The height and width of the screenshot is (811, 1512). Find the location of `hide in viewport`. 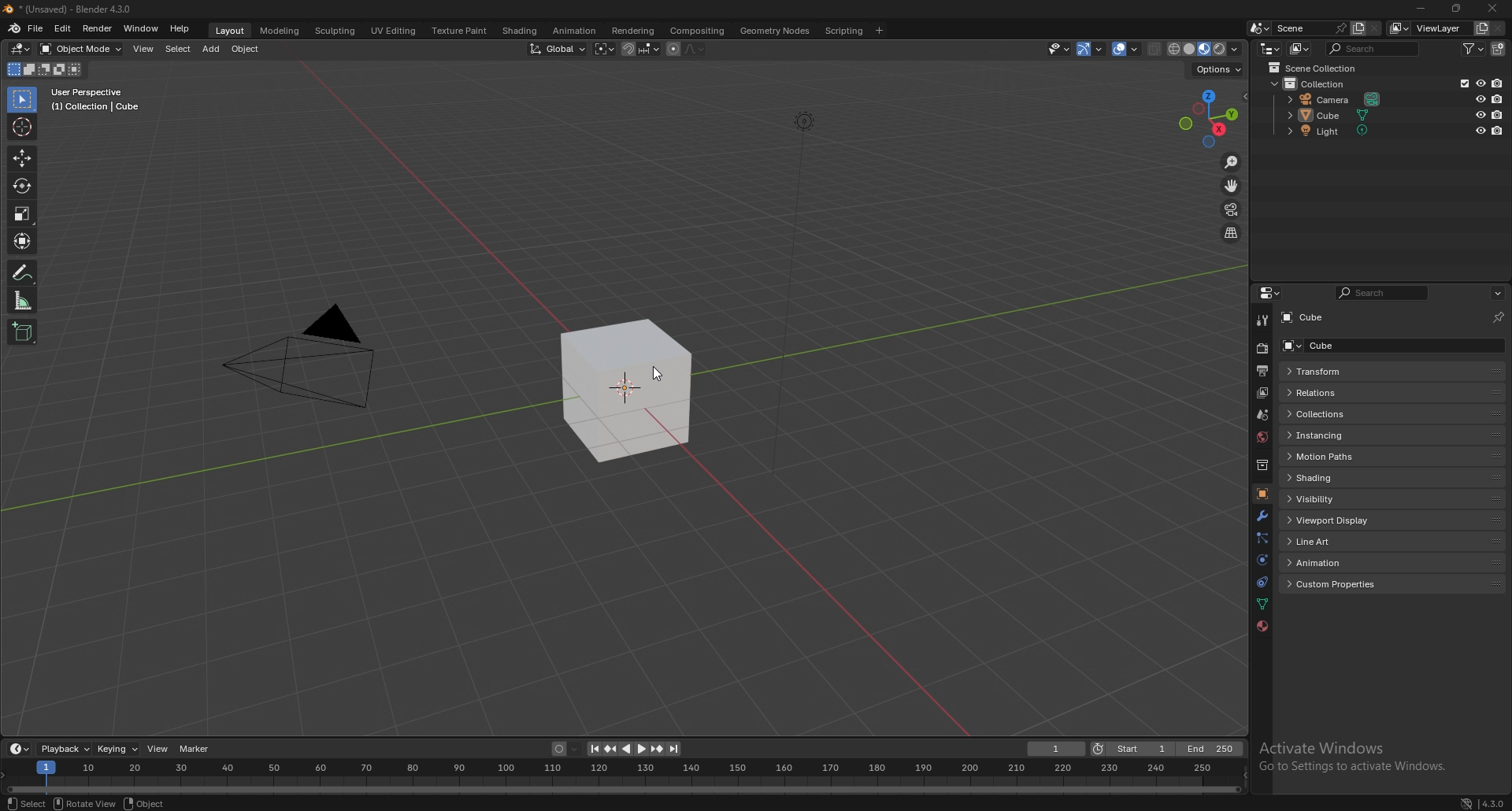

hide in viewport is located at coordinates (1480, 83).